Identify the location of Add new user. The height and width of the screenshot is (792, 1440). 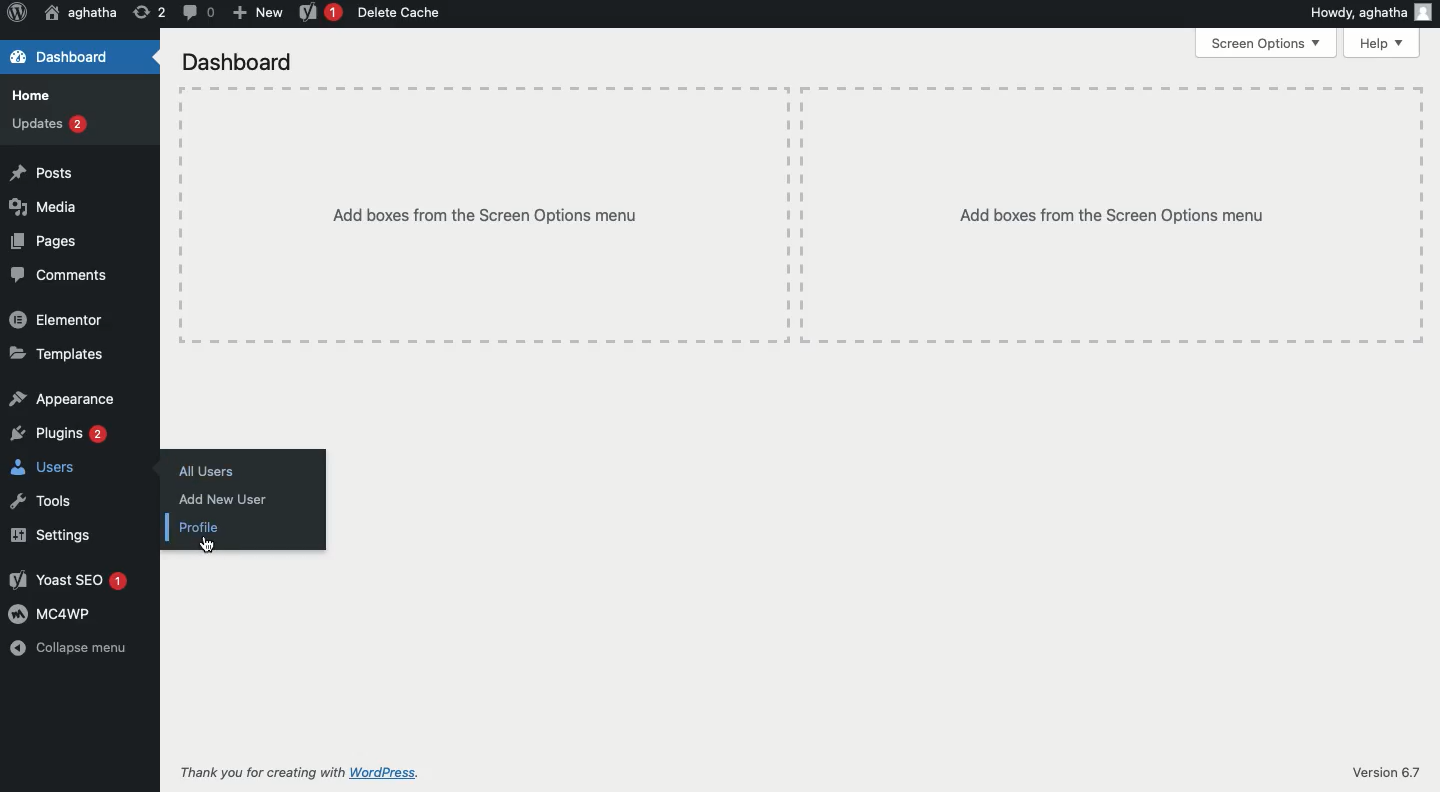
(219, 500).